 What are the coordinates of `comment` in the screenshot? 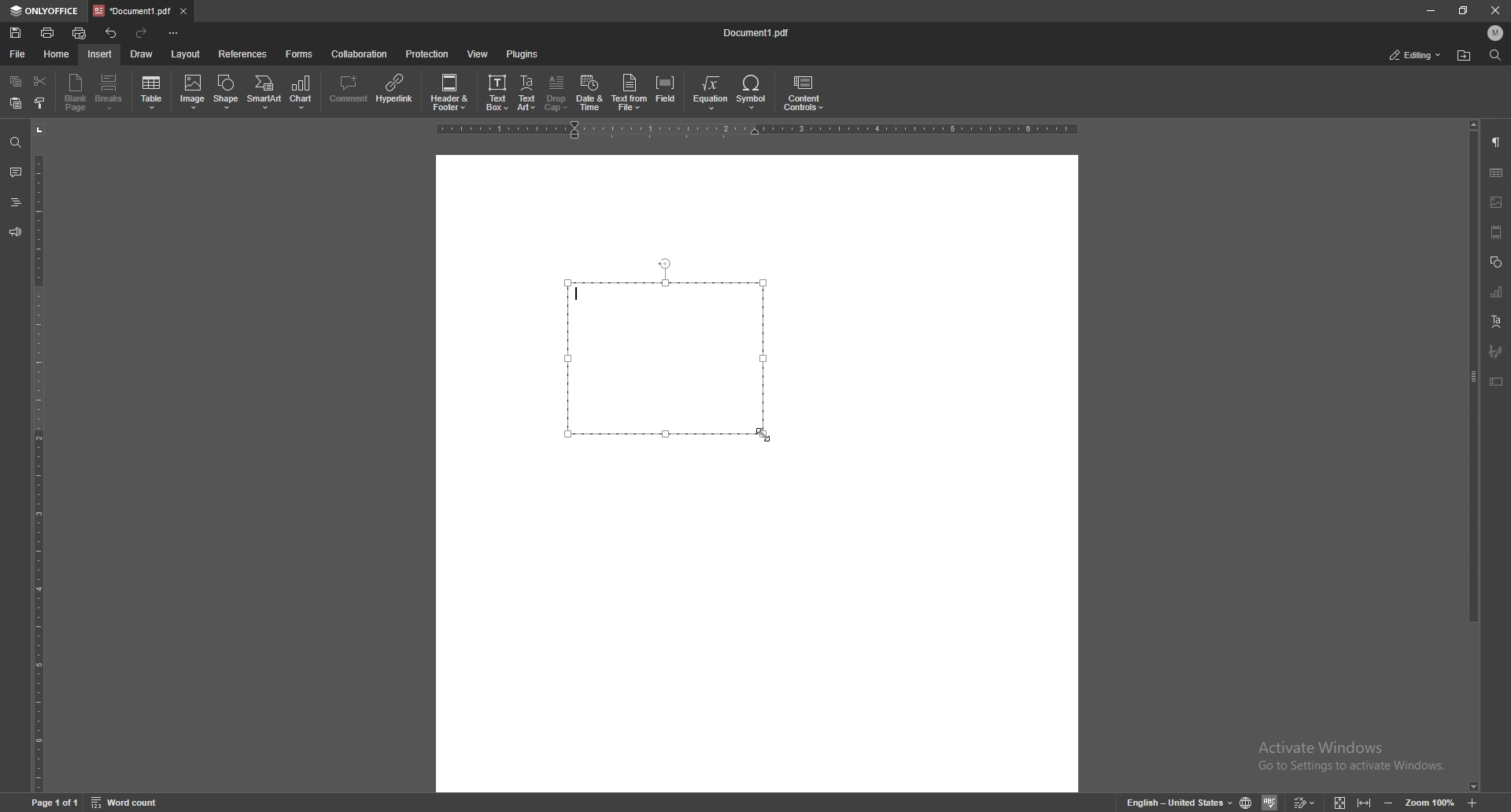 It's located at (15, 172).